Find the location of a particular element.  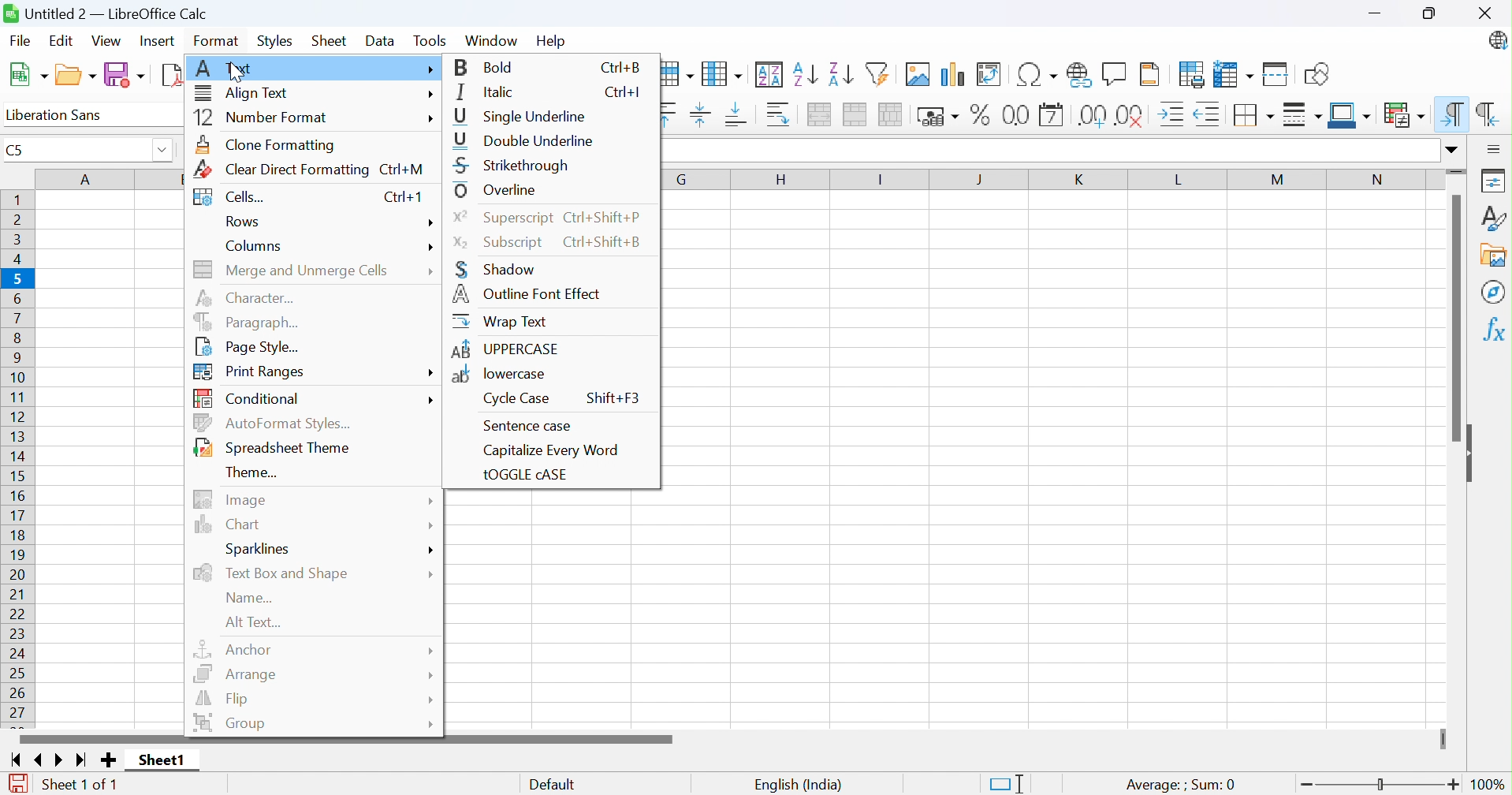

View is located at coordinates (107, 41).